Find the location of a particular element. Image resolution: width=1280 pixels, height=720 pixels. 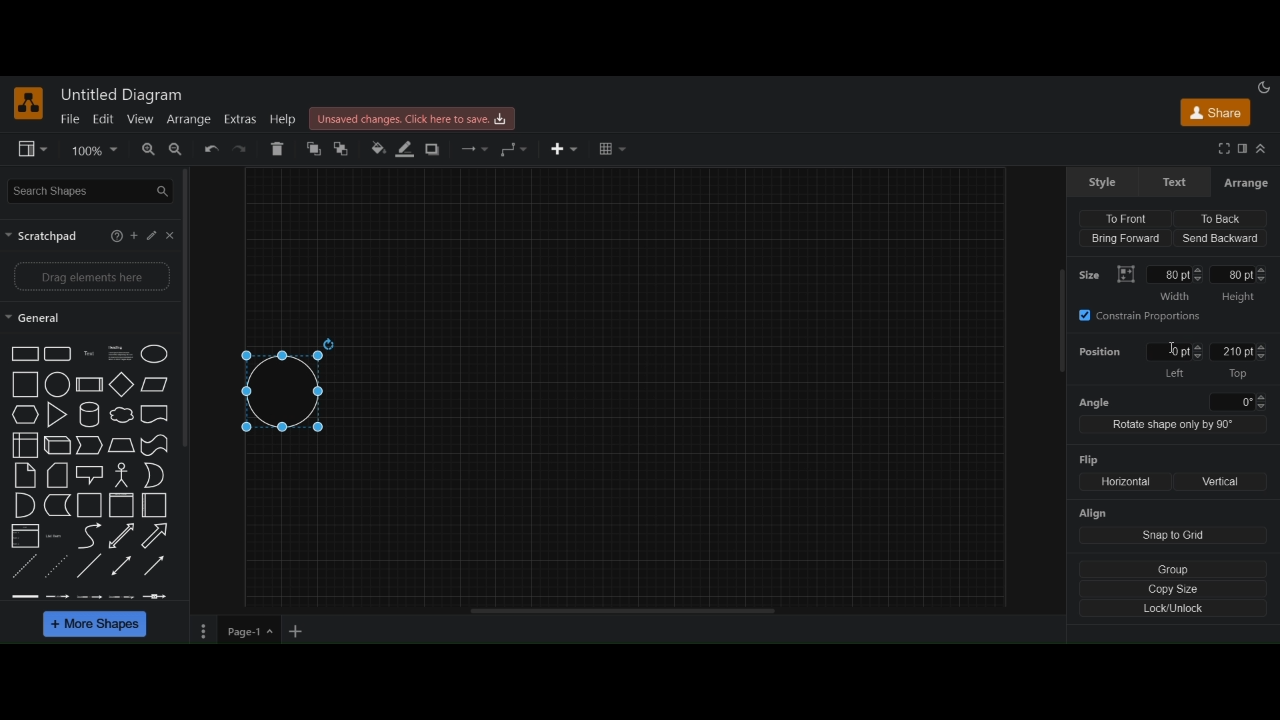

curve up arrow is located at coordinates (156, 536).